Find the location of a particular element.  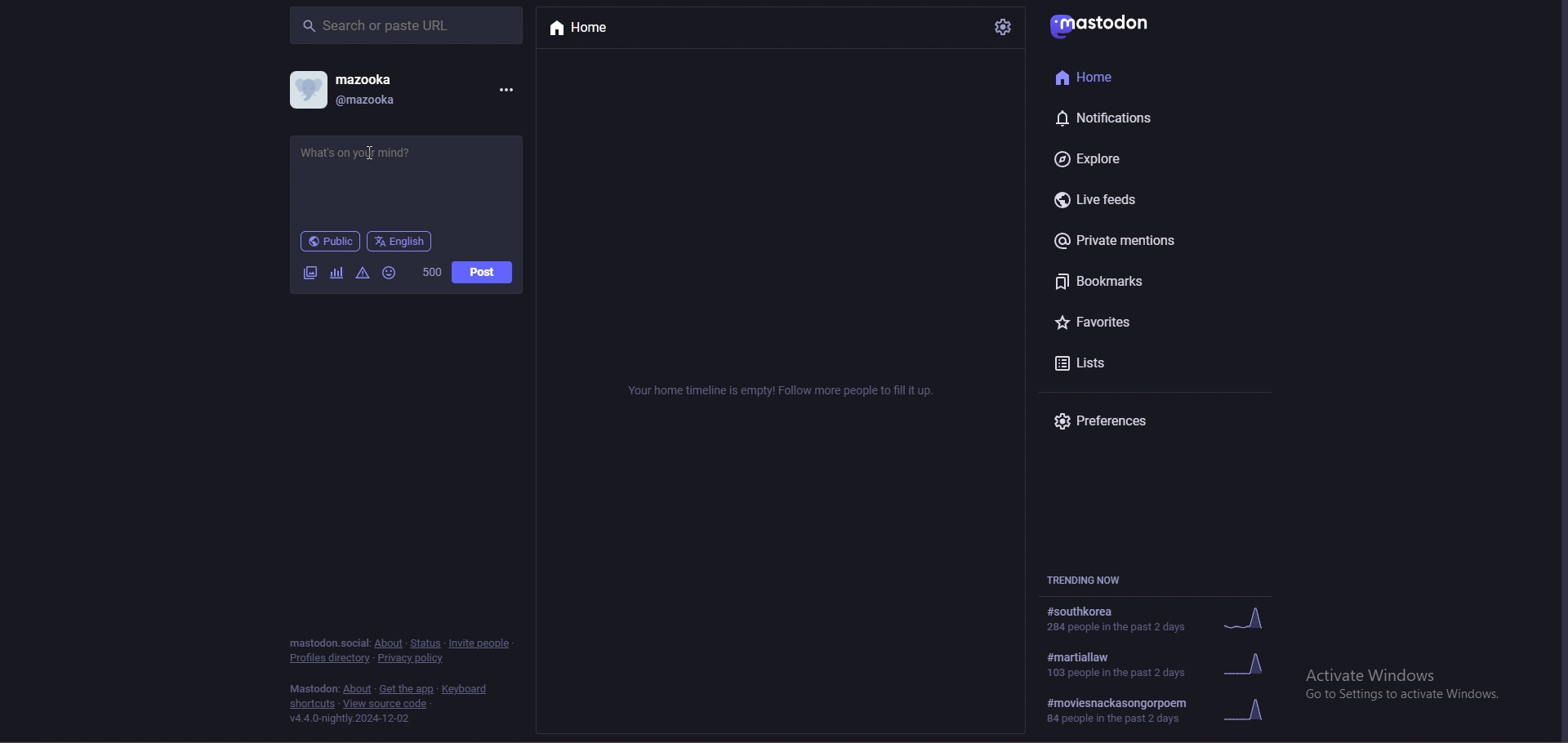

view source code is located at coordinates (386, 704).